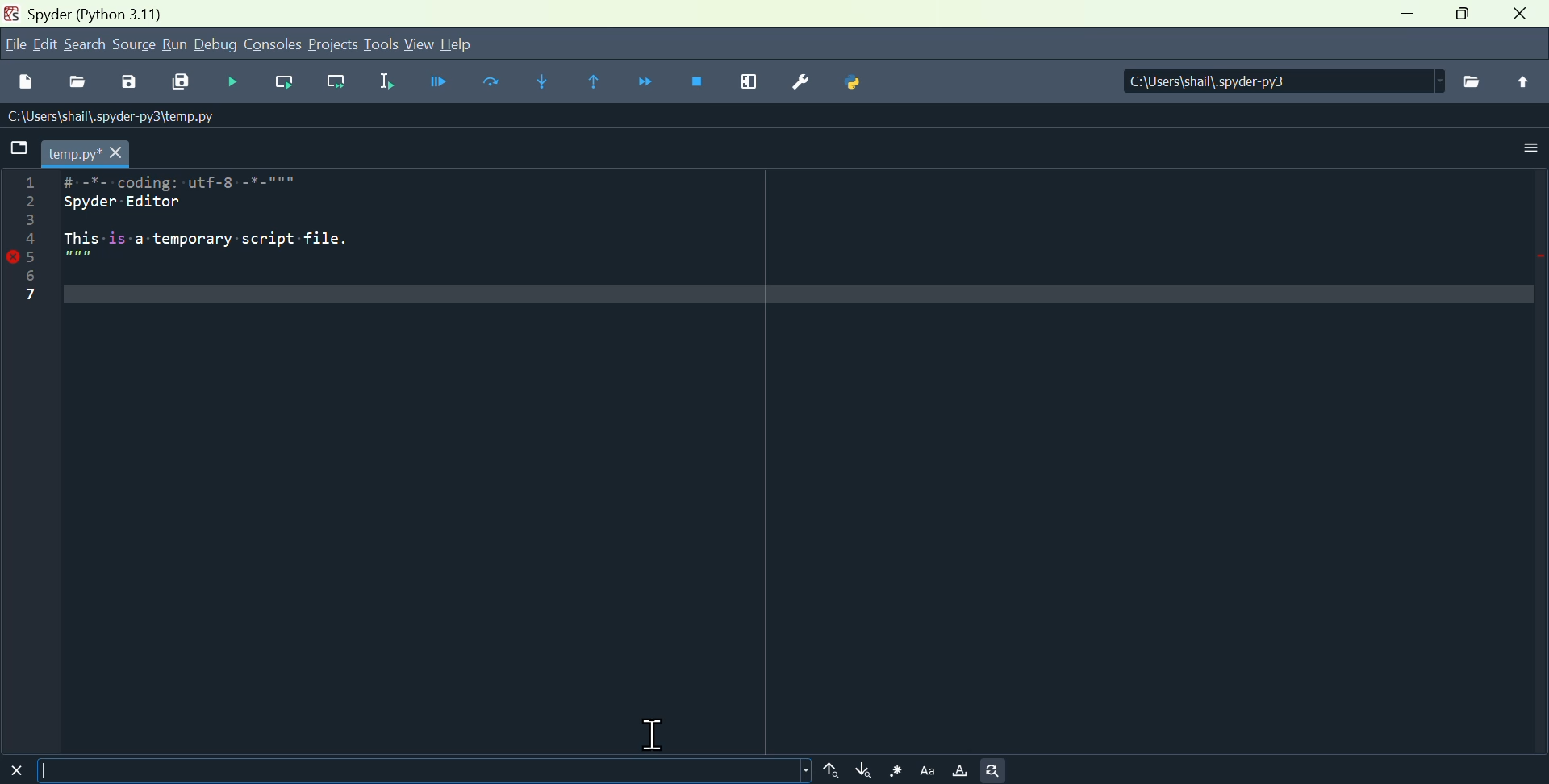 The width and height of the screenshot is (1549, 784). What do you see at coordinates (458, 45) in the screenshot?
I see `help` at bounding box center [458, 45].